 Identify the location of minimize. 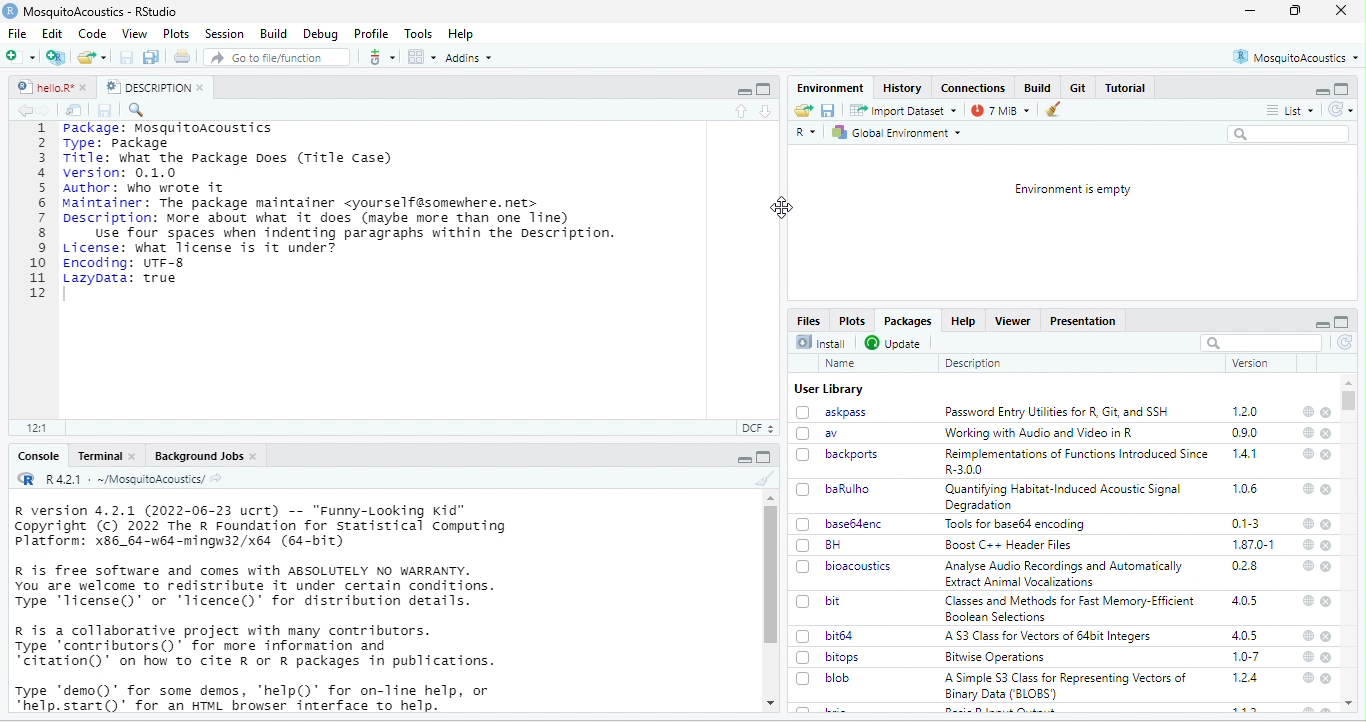
(1250, 10).